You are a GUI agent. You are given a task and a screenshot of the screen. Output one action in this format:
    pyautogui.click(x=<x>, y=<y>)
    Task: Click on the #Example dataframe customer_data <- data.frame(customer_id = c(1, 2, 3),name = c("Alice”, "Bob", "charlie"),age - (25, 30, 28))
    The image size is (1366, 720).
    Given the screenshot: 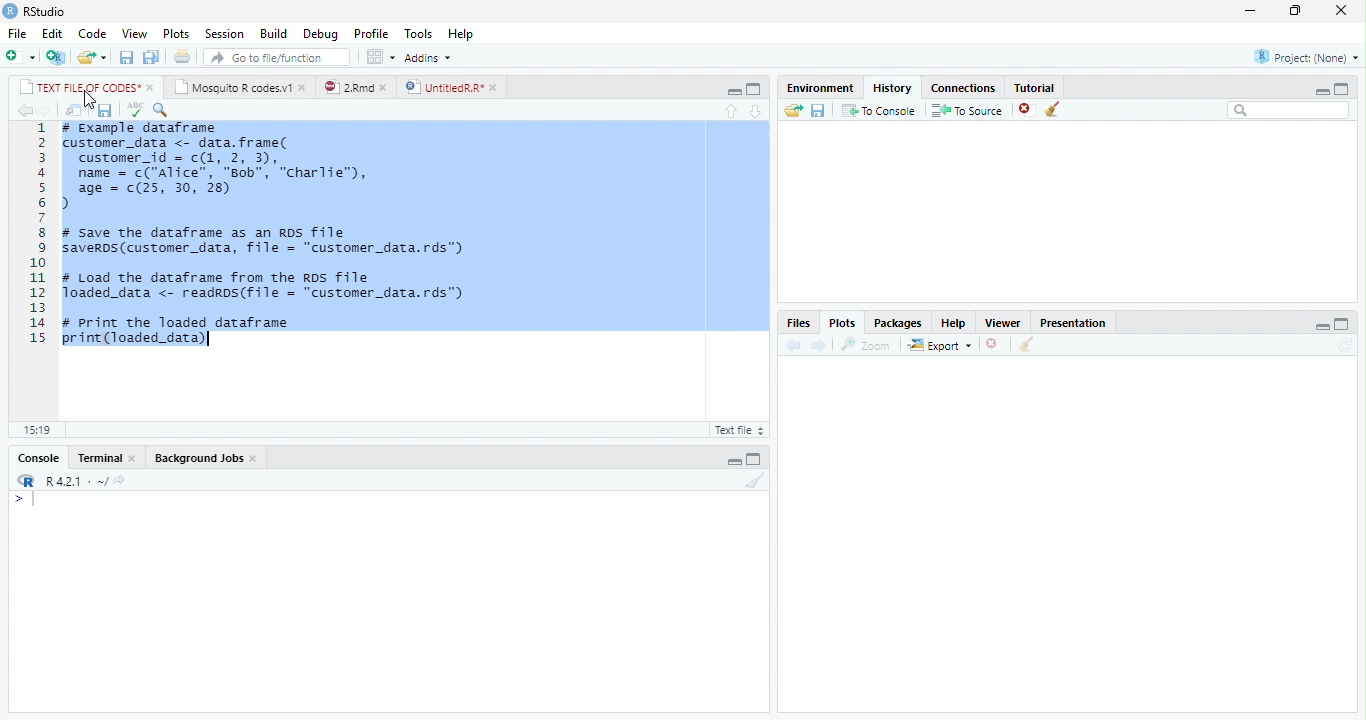 What is the action you would take?
    pyautogui.click(x=223, y=167)
    